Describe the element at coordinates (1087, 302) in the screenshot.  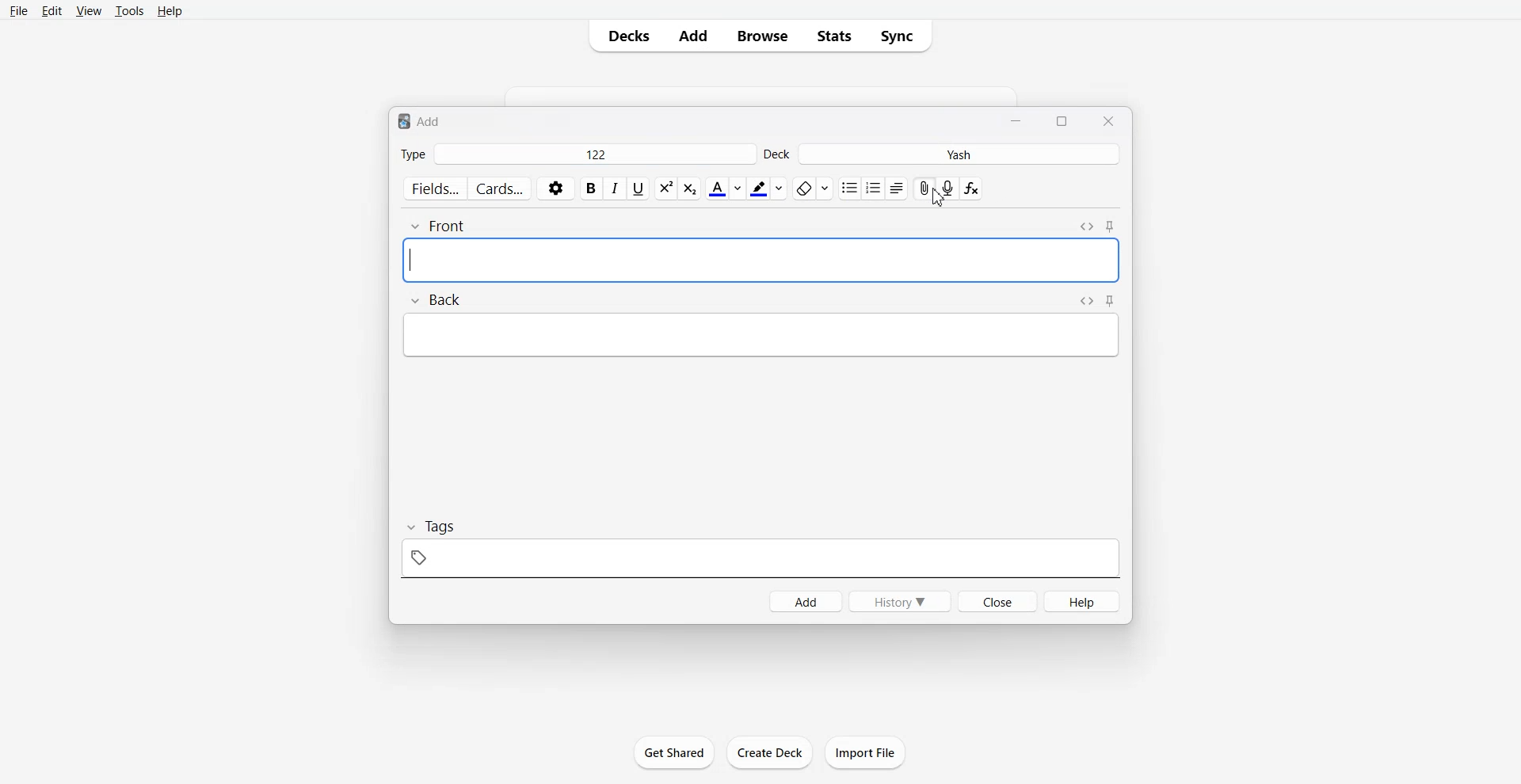
I see `Toggle HTML Editor` at that location.